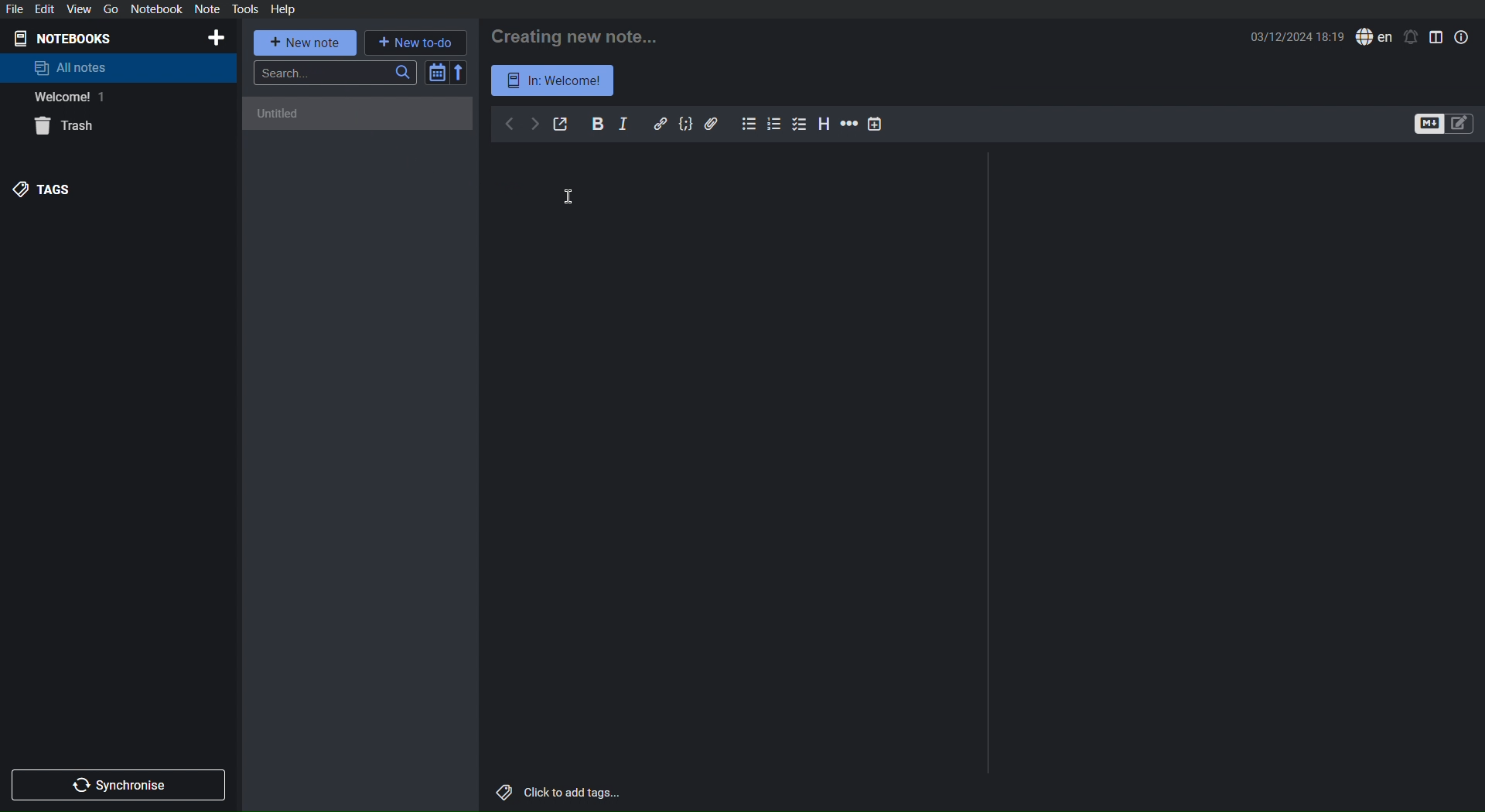 The width and height of the screenshot is (1485, 812). What do you see at coordinates (598, 123) in the screenshot?
I see `Bold` at bounding box center [598, 123].